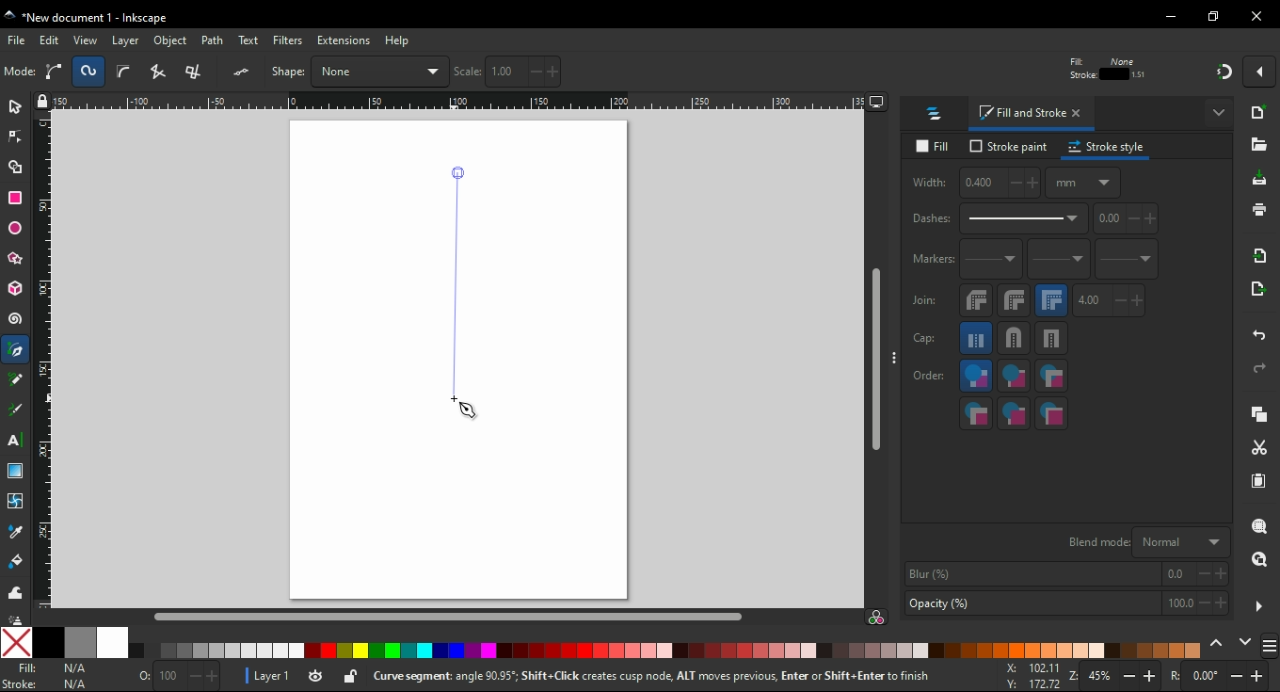 This screenshot has height=692, width=1280. I want to click on active line segment, so click(457, 283).